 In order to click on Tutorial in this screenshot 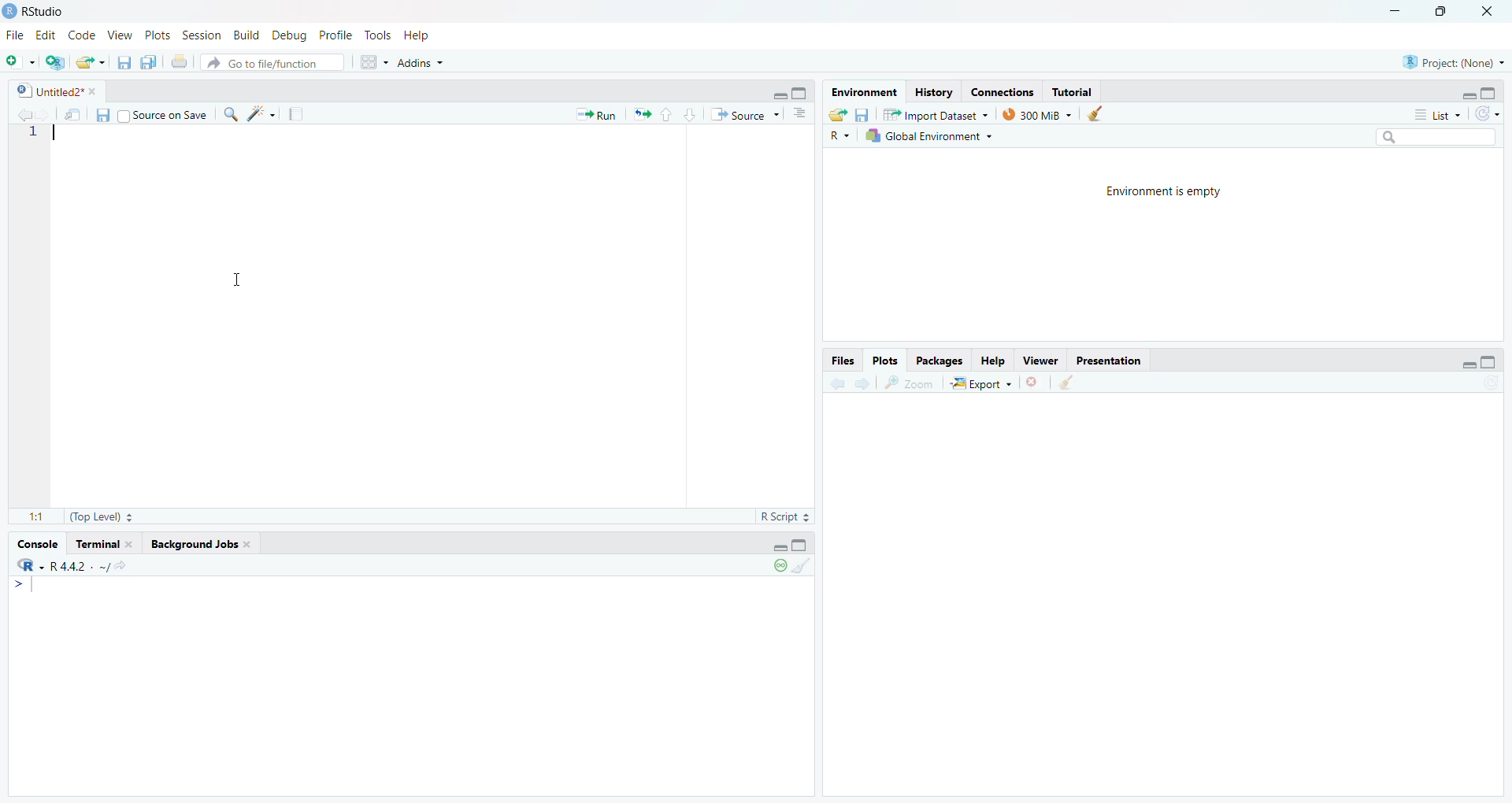, I will do `click(1074, 92)`.